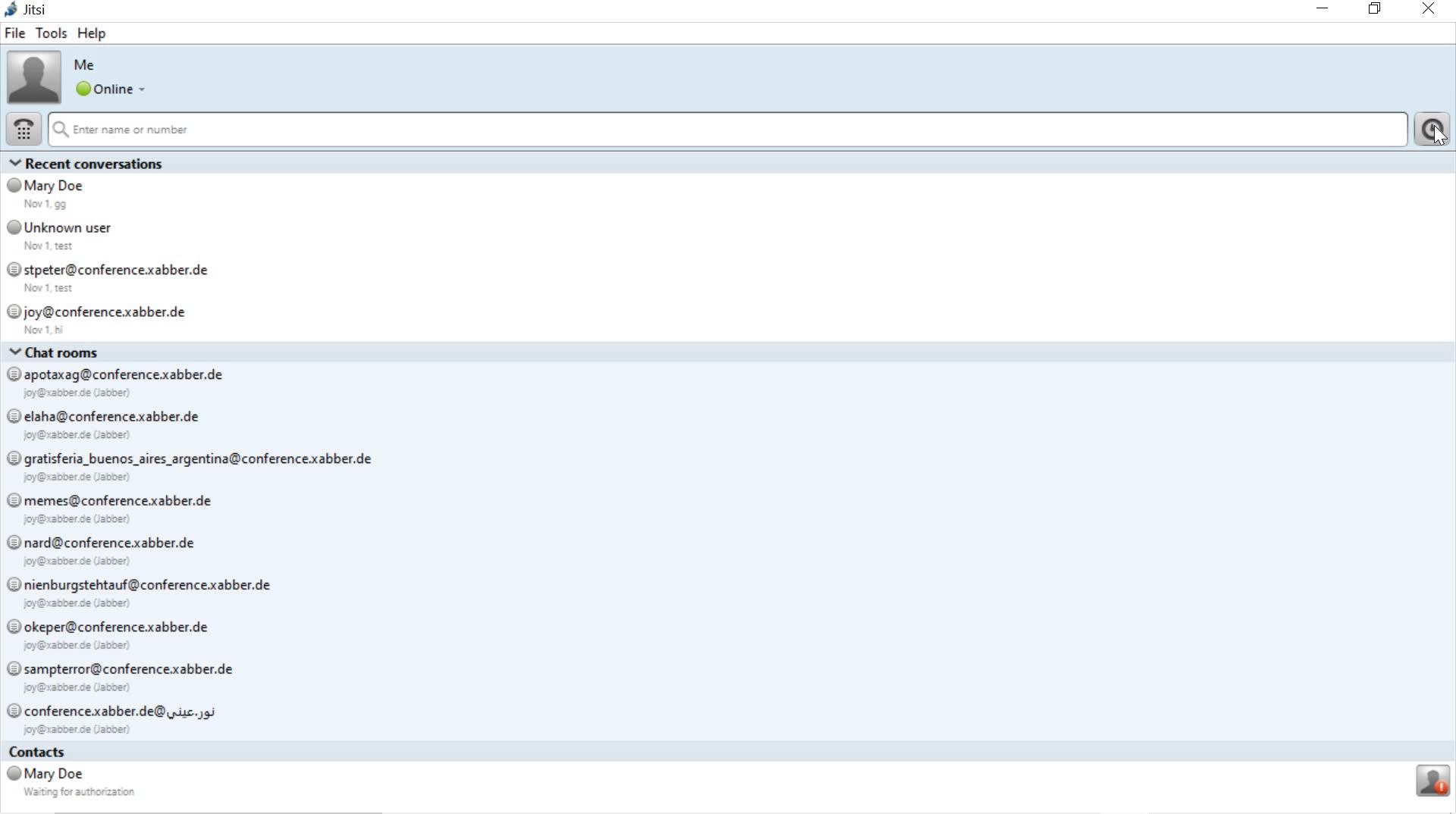 This screenshot has width=1456, height=814. Describe the element at coordinates (728, 543) in the screenshot. I see `recent chat rooms joined` at that location.